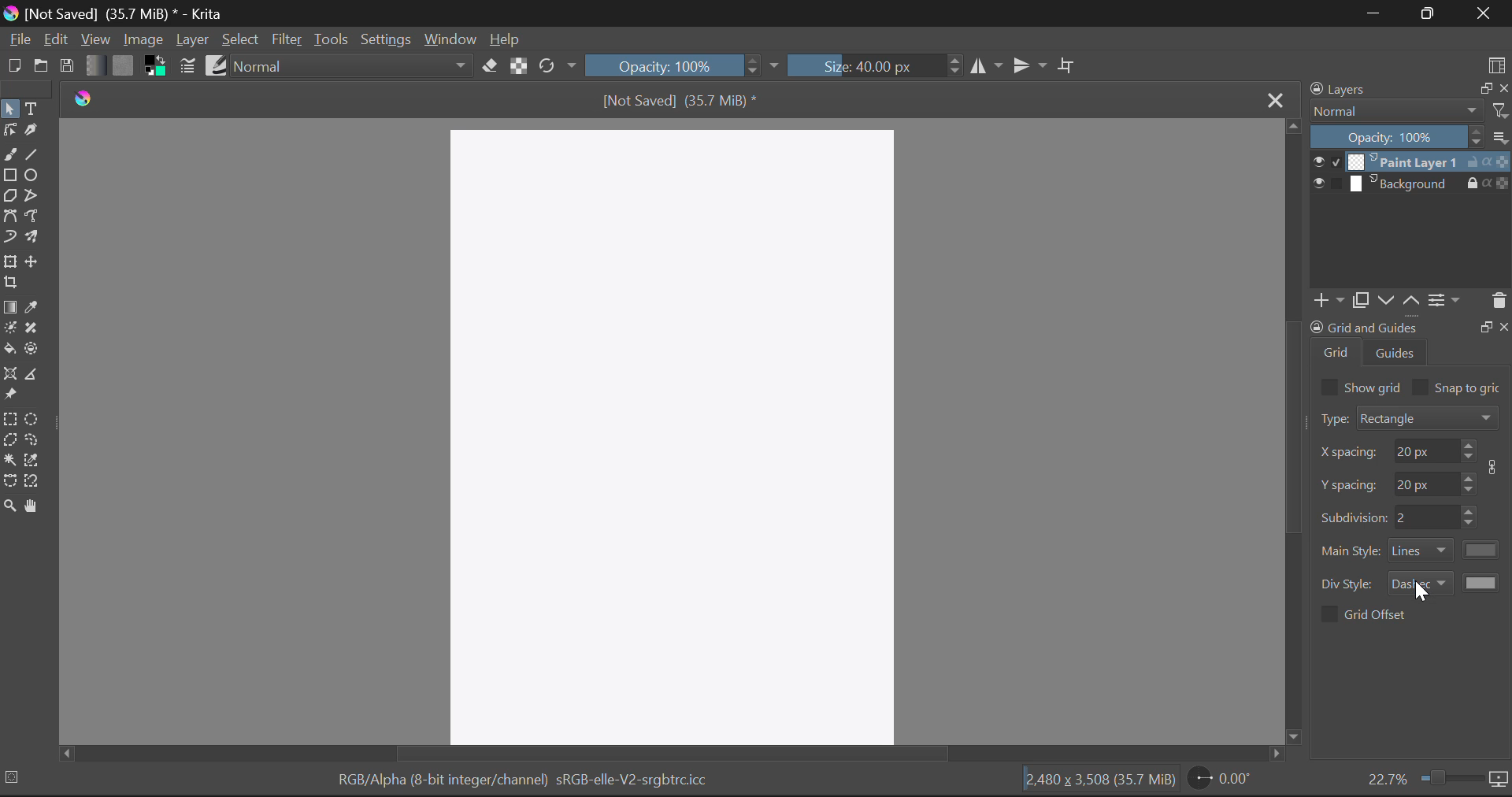 This screenshot has height=797, width=1512. What do you see at coordinates (13, 65) in the screenshot?
I see `New` at bounding box center [13, 65].